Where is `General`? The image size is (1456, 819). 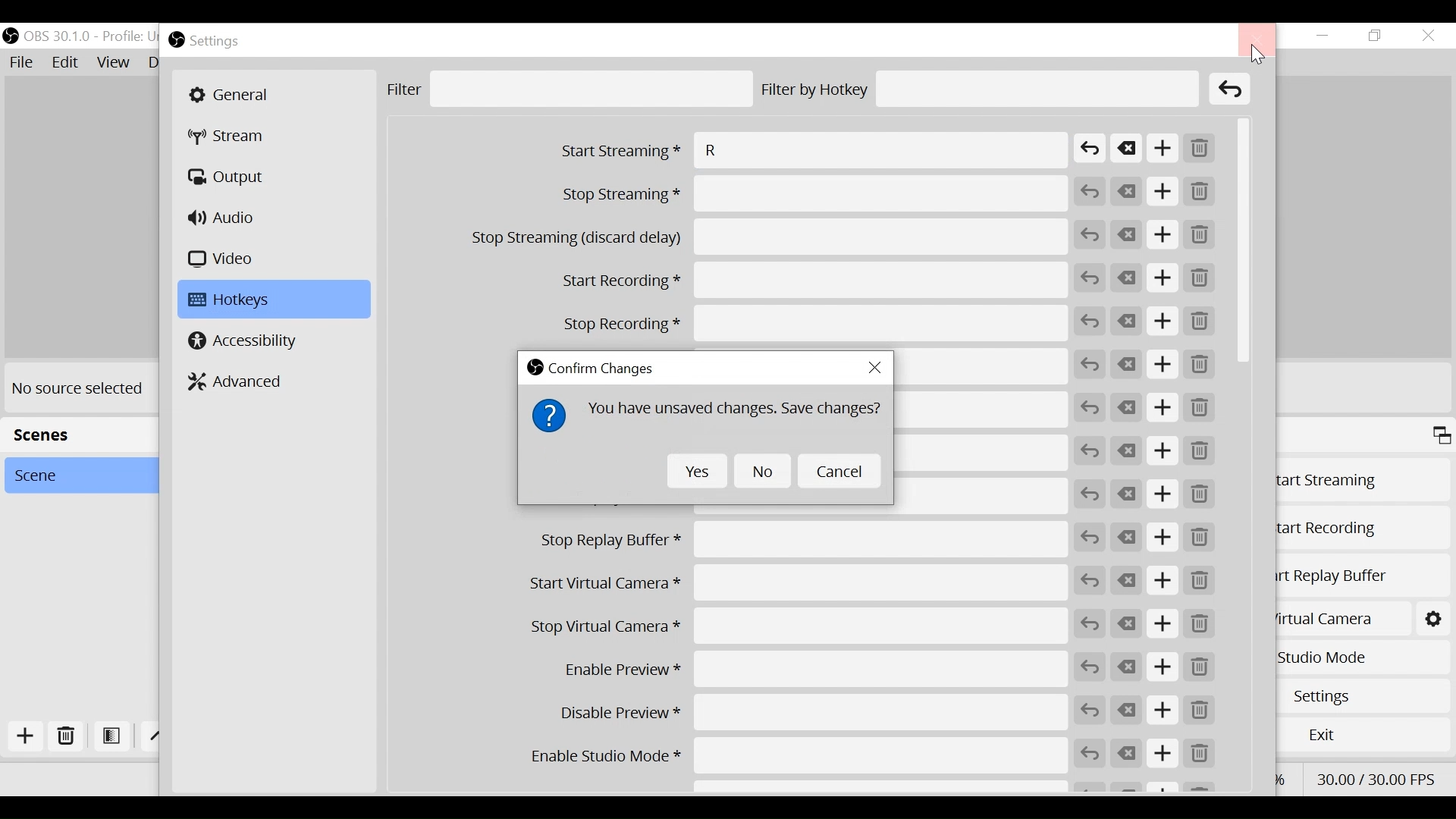
General is located at coordinates (274, 94).